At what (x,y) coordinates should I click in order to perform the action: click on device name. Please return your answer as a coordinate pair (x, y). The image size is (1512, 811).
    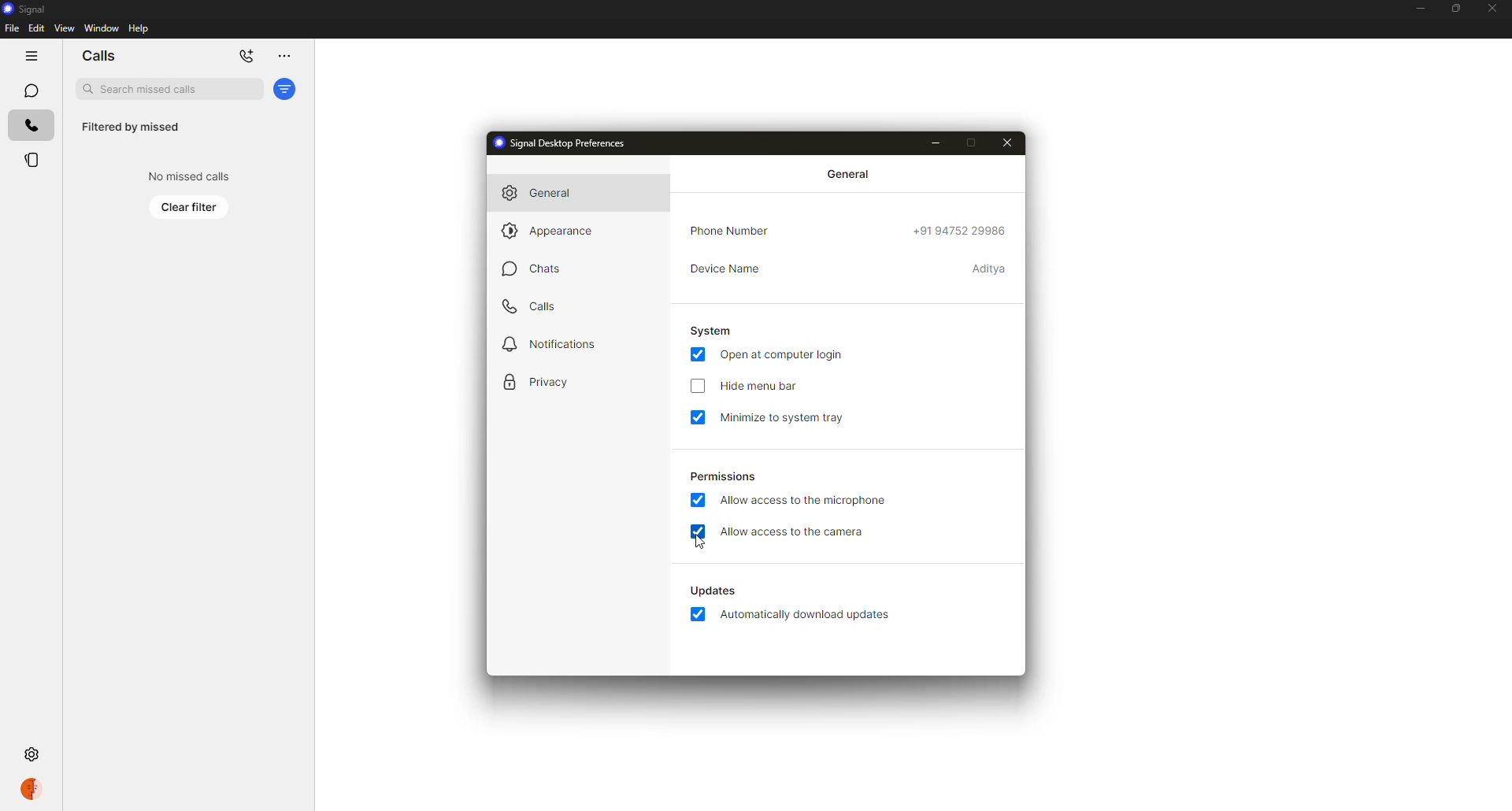
    Looking at the image, I should click on (725, 268).